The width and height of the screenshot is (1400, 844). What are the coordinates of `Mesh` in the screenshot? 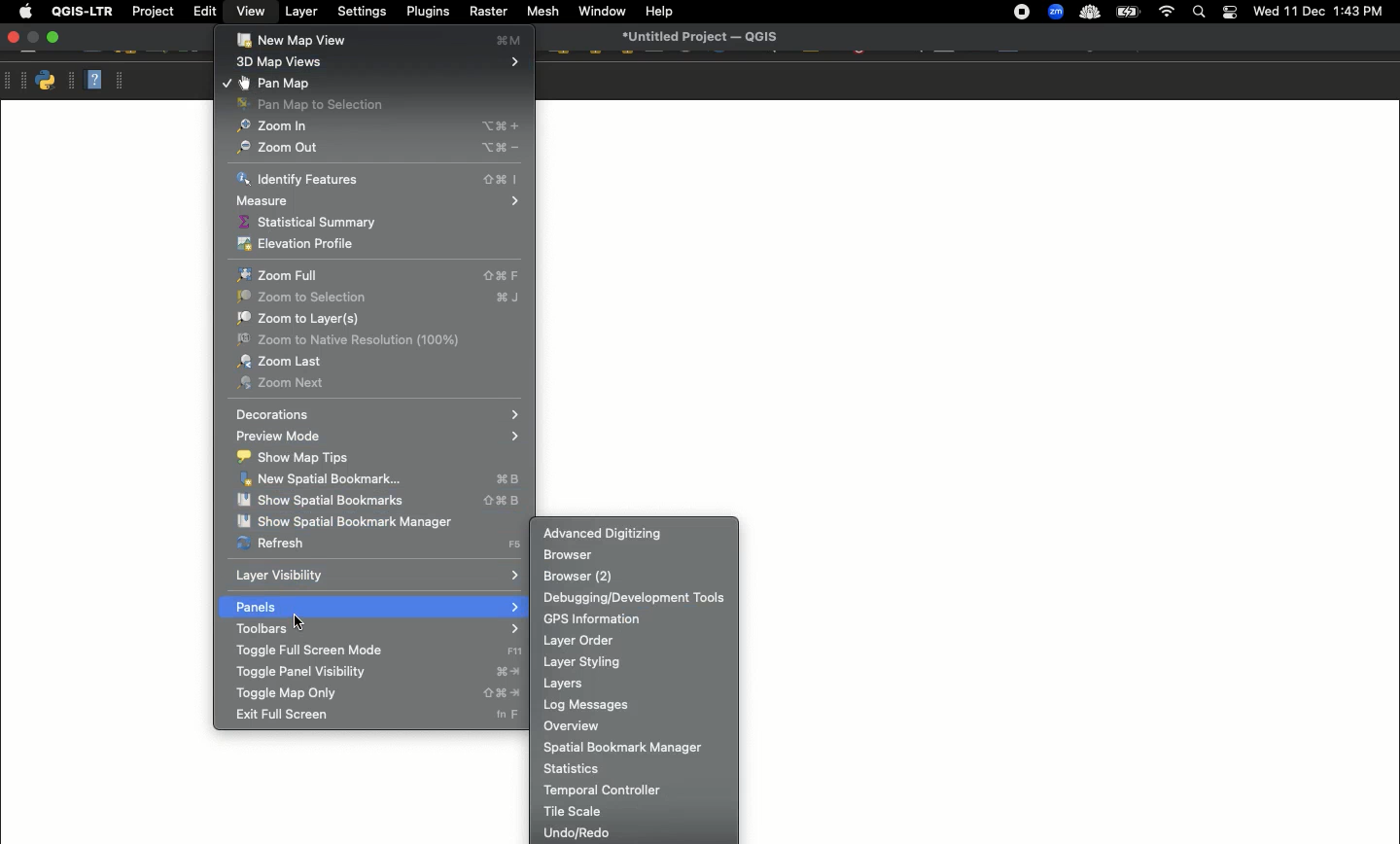 It's located at (542, 11).